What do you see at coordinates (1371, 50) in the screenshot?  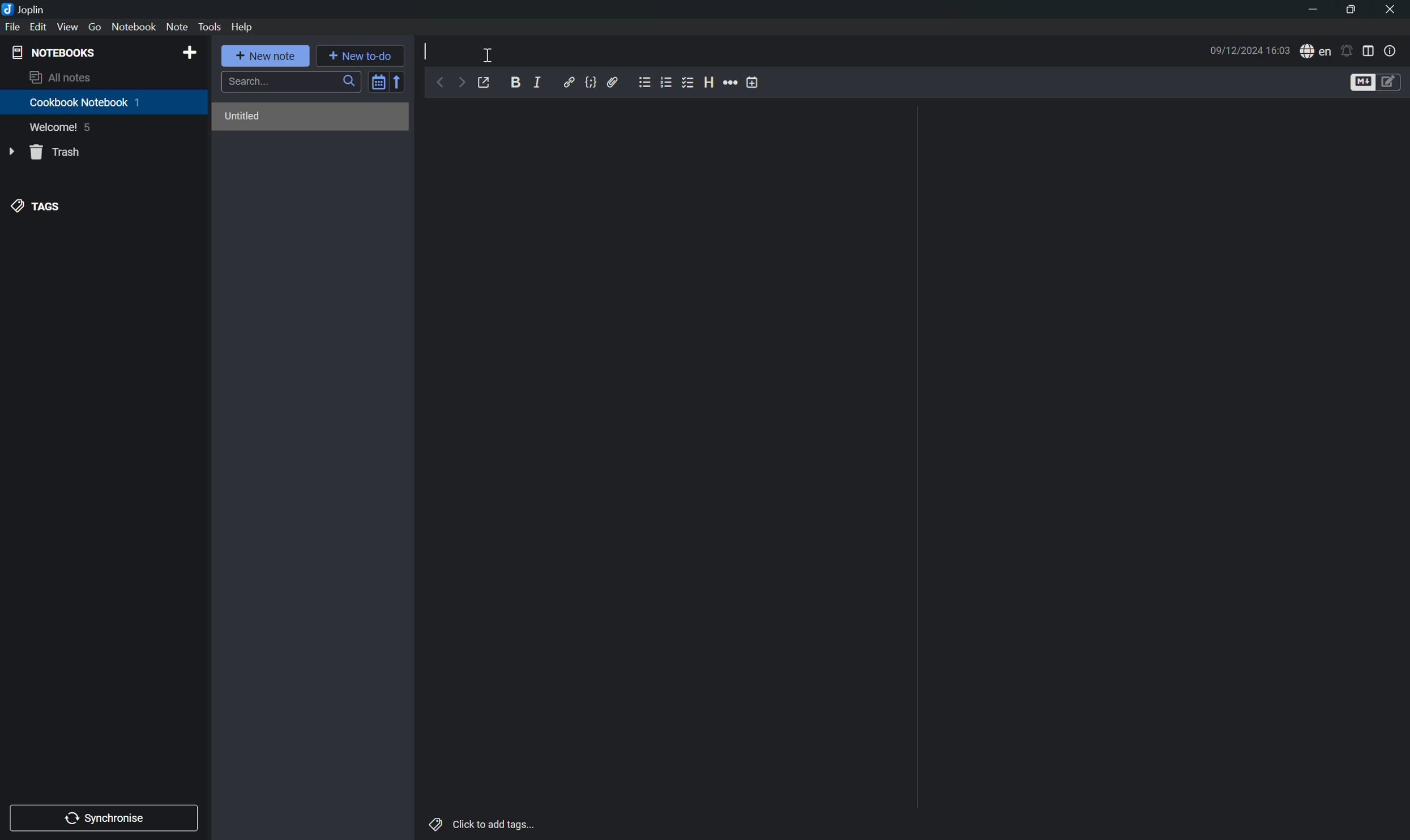 I see `Toggle editor layout` at bounding box center [1371, 50].